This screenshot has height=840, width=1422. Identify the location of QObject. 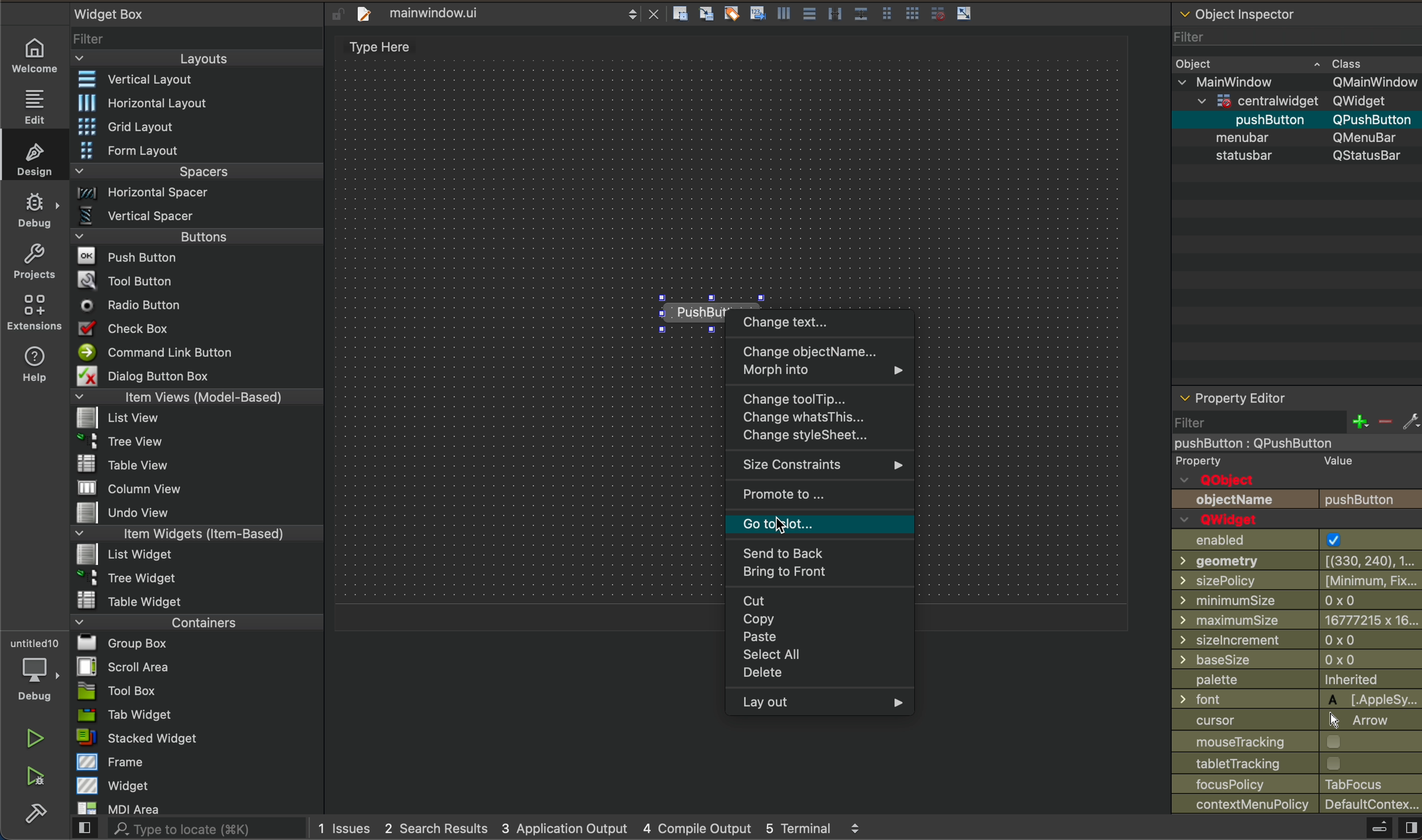
(1220, 479).